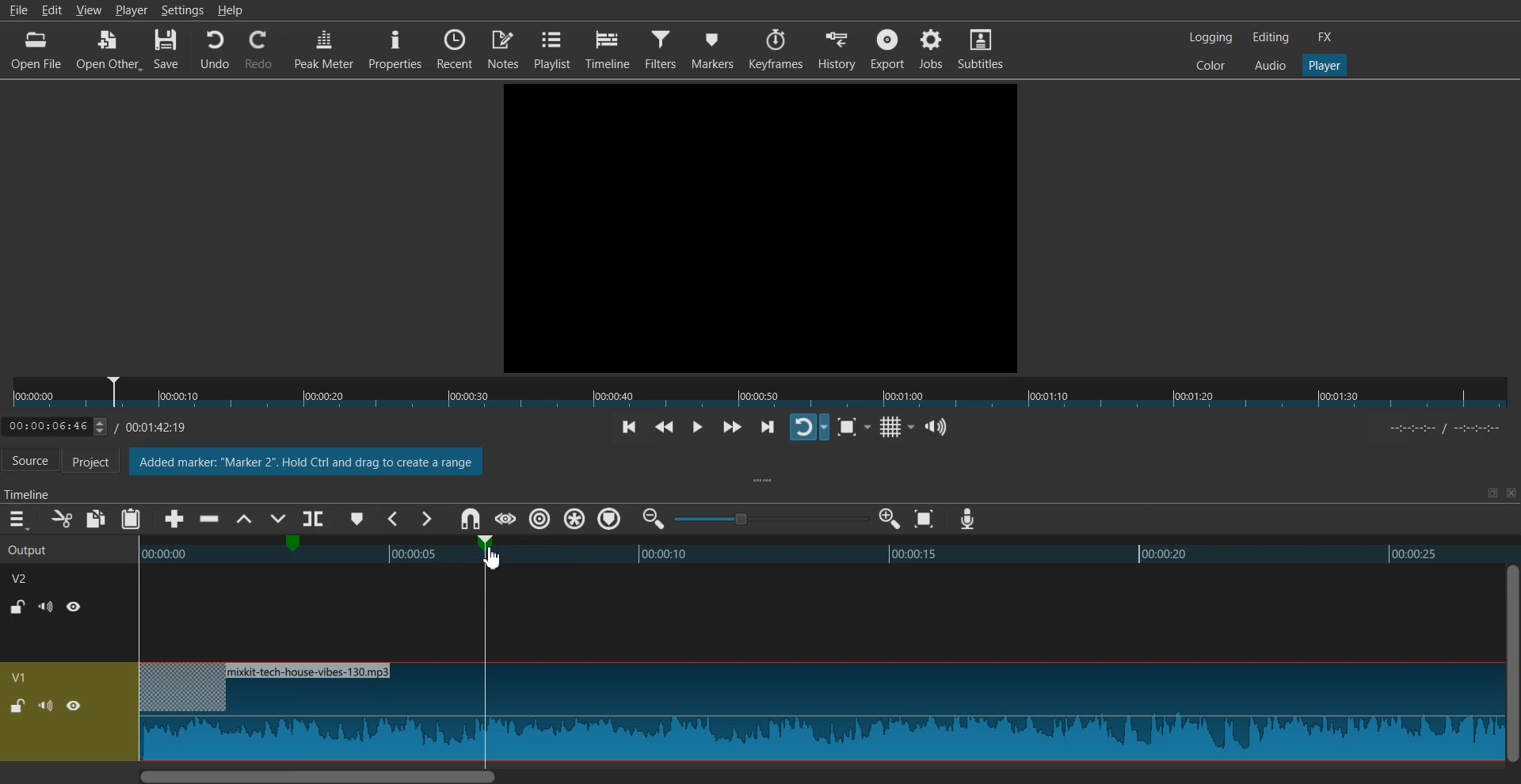 The height and width of the screenshot is (784, 1521). Describe the element at coordinates (19, 607) in the screenshot. I see `Lock / UnLock` at that location.